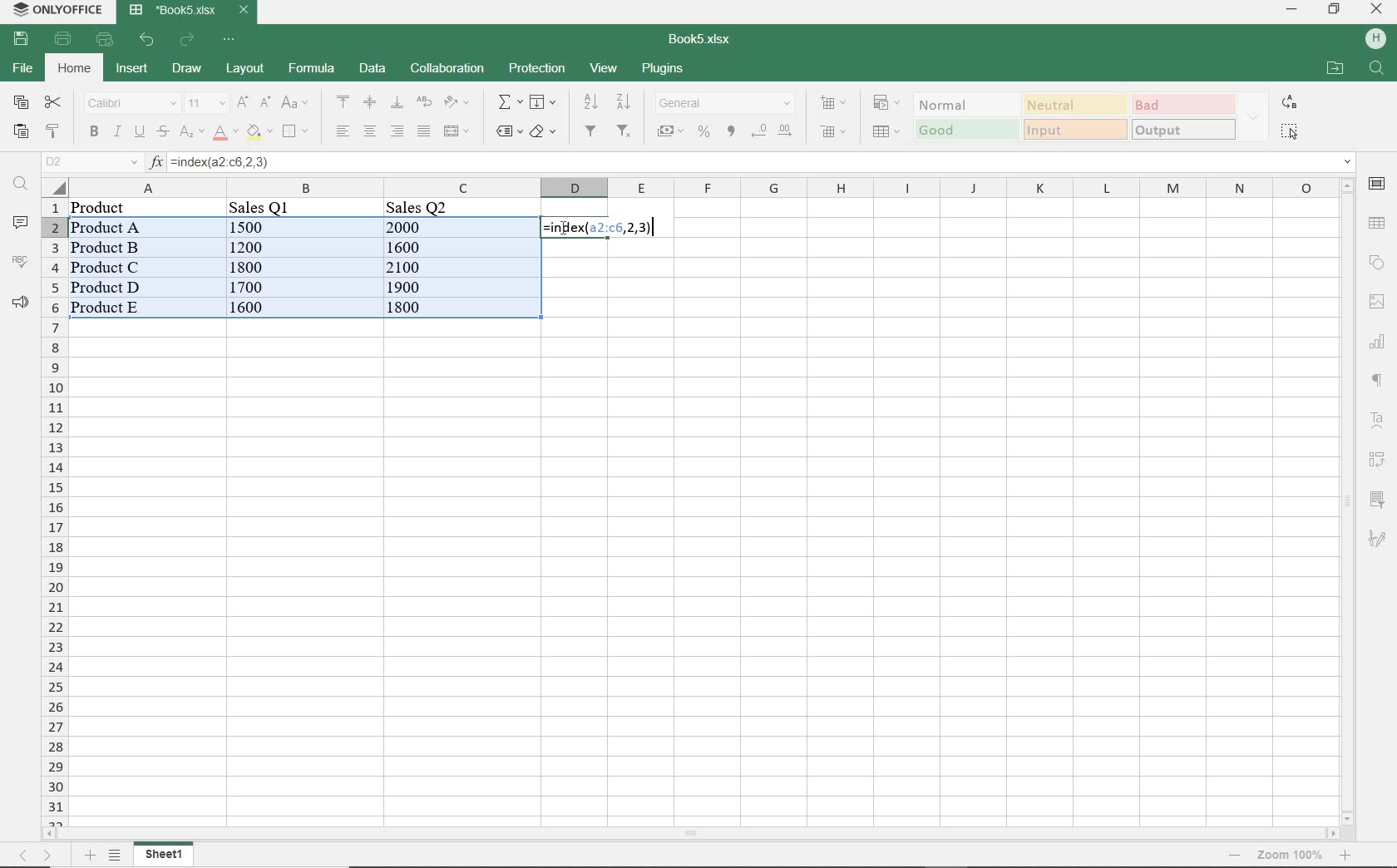  I want to click on bold, so click(93, 133).